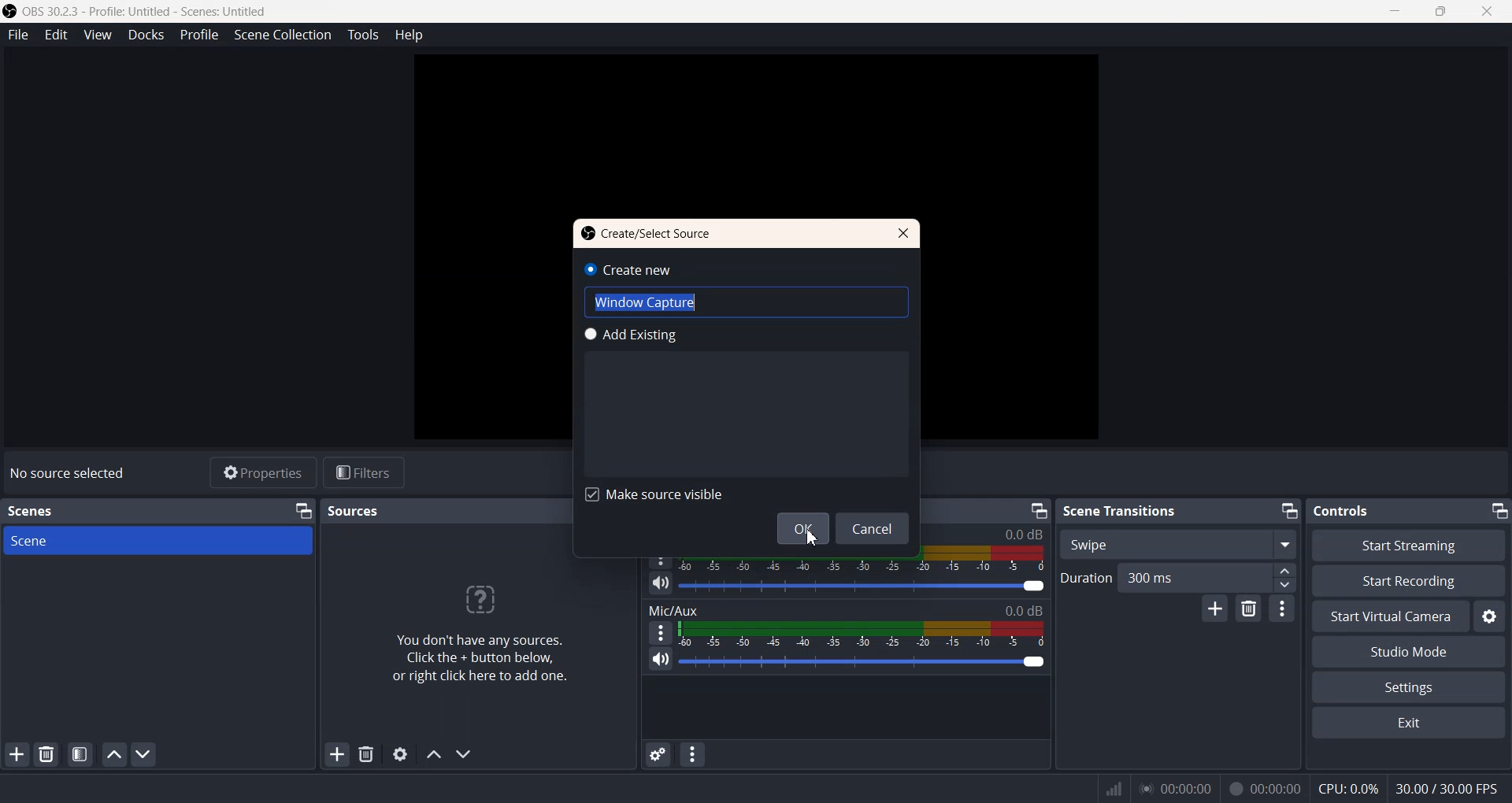  What do you see at coordinates (80, 754) in the screenshot?
I see `Open scene Filter` at bounding box center [80, 754].